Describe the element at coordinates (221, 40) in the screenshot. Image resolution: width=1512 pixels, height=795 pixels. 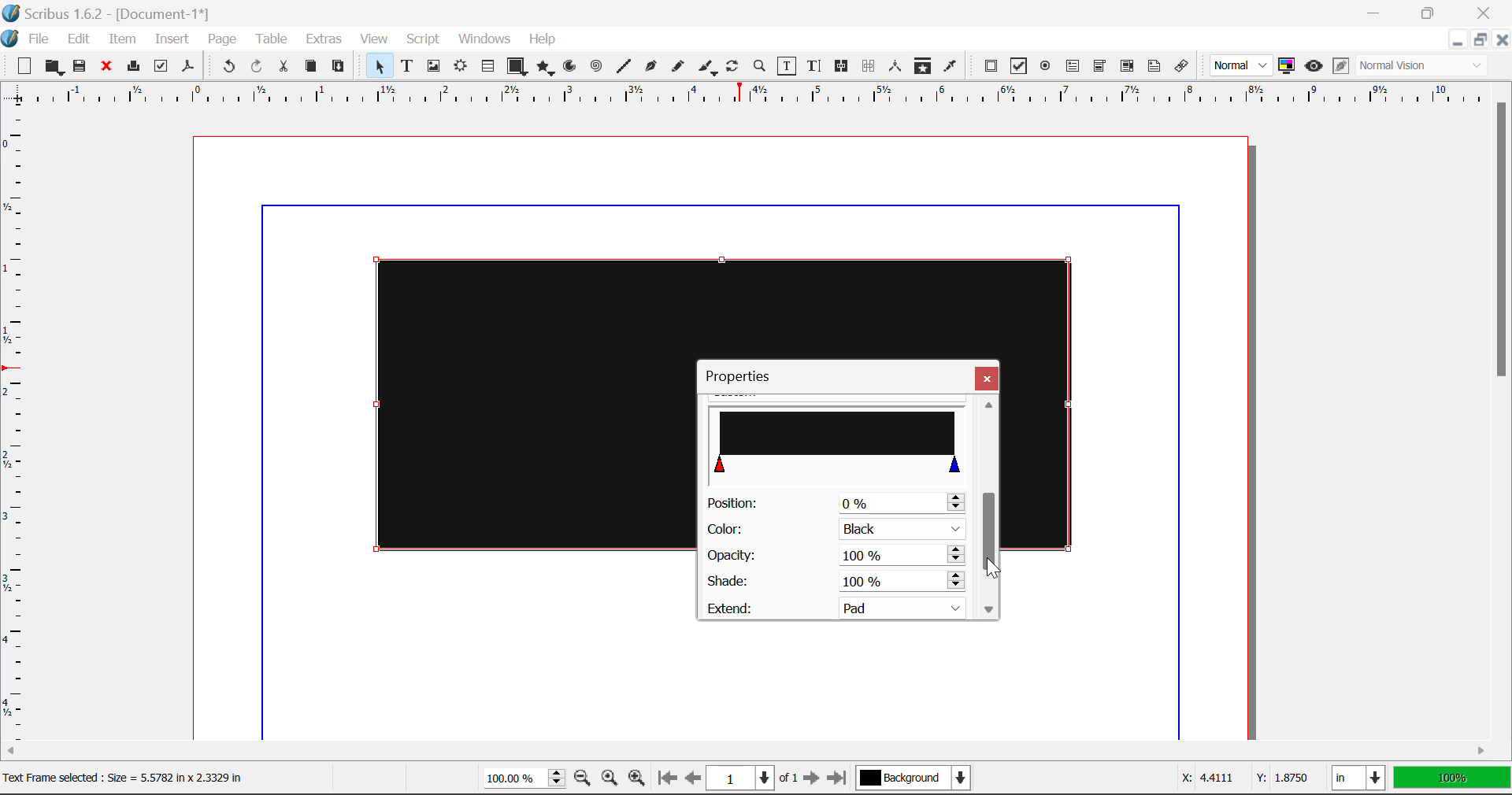
I see `Page` at that location.